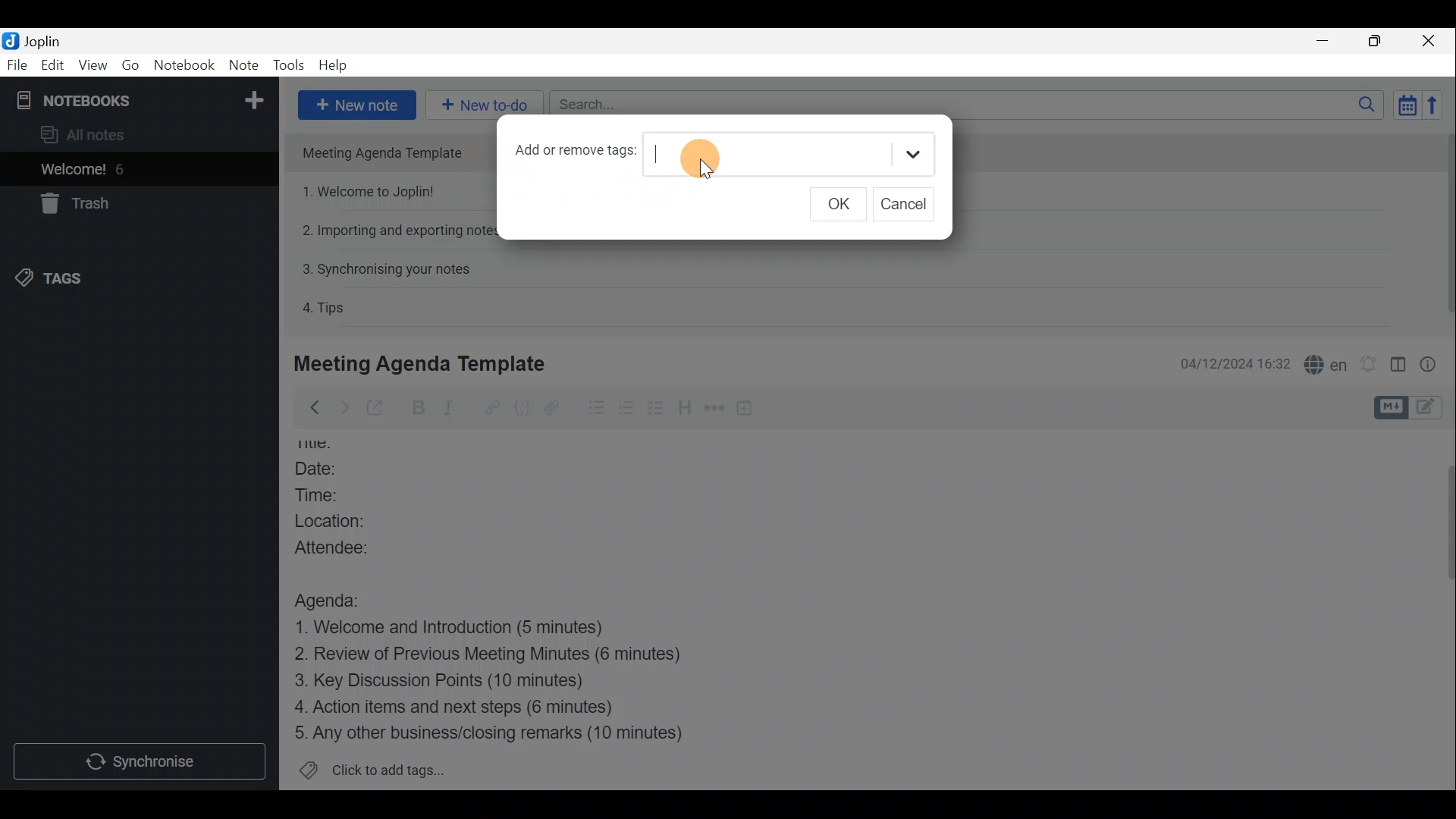 This screenshot has width=1456, height=819. I want to click on Agenda:, so click(337, 598).